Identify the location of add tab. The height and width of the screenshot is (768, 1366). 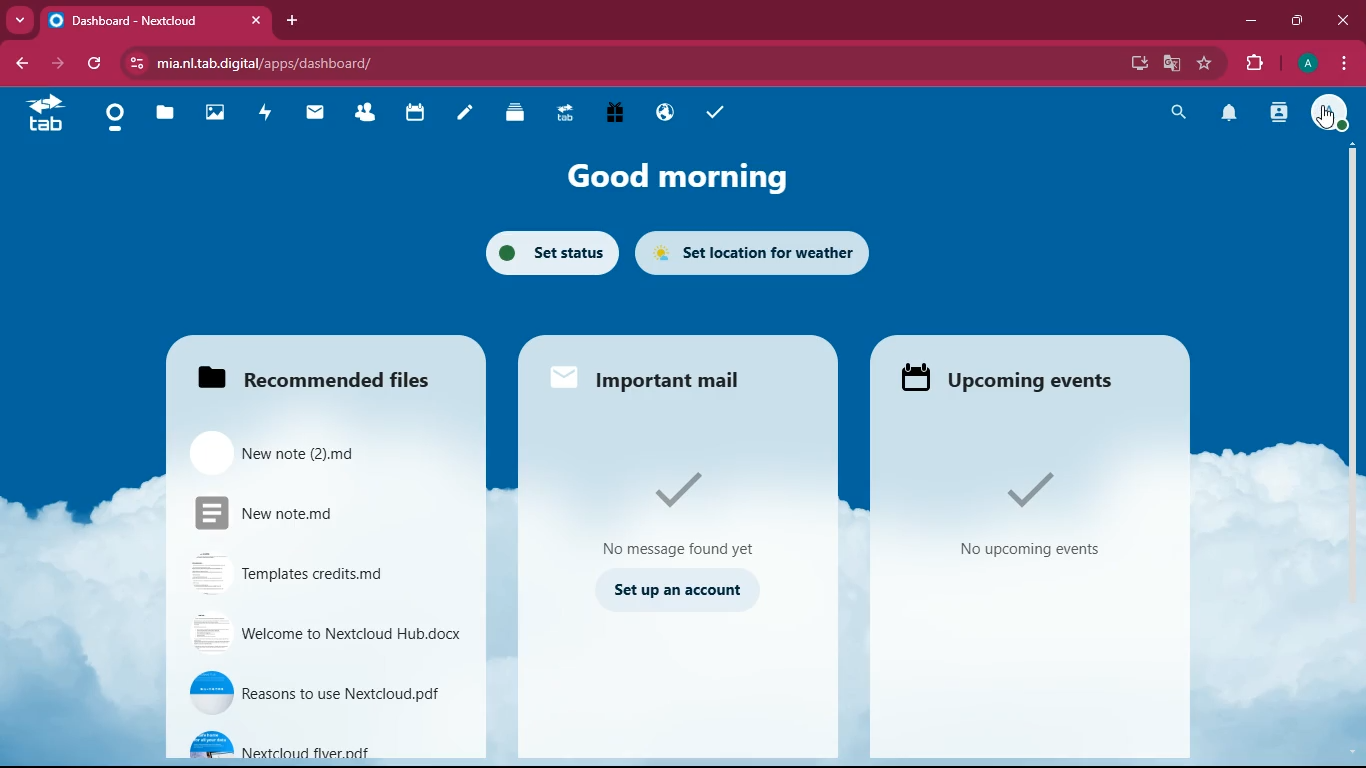
(291, 20).